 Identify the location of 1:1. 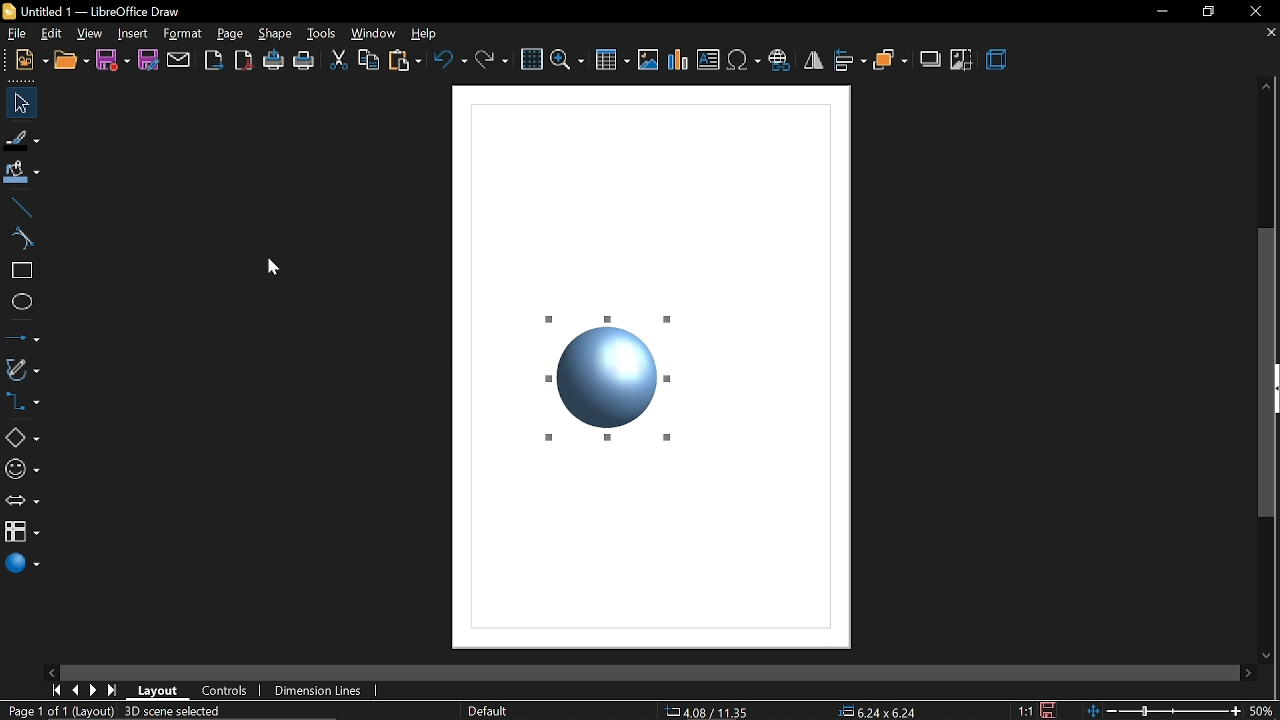
(1023, 710).